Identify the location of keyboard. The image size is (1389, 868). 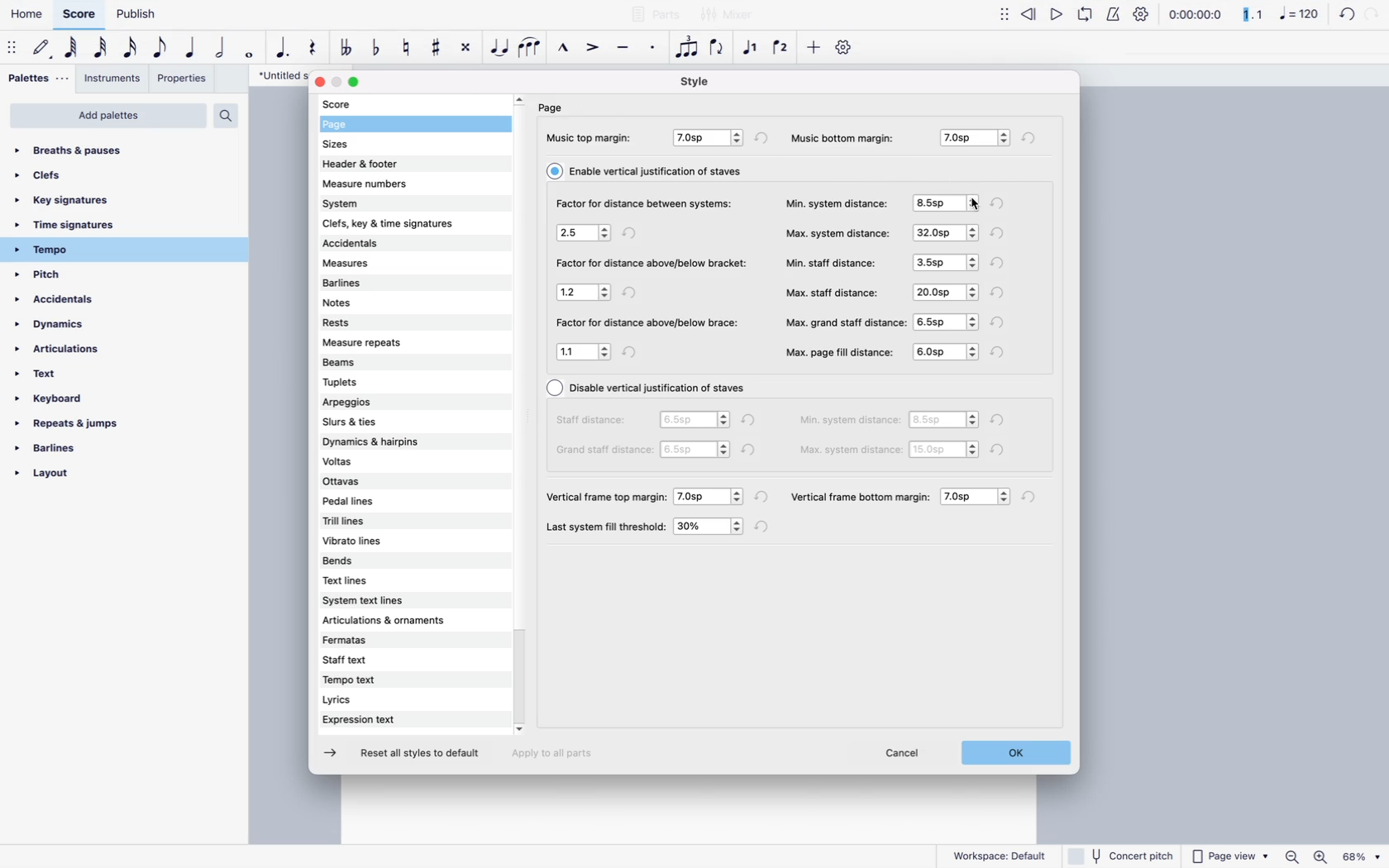
(67, 401).